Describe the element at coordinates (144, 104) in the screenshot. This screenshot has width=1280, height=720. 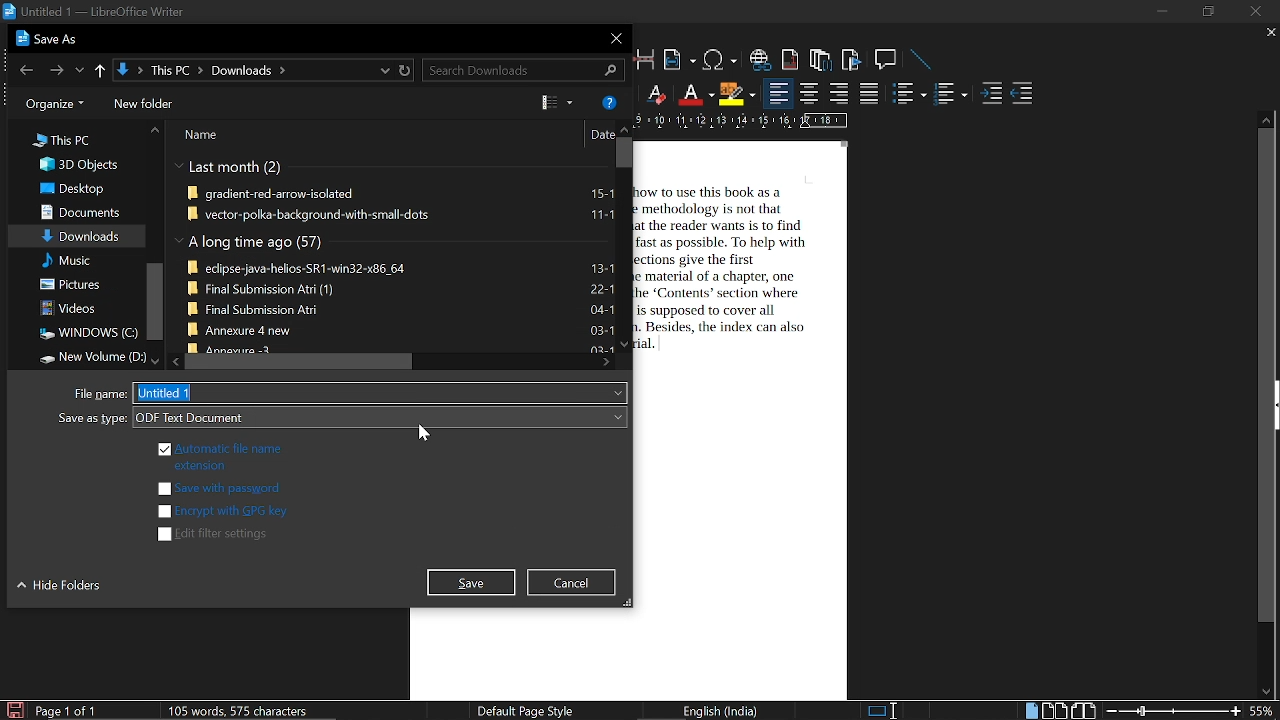
I see `folders` at that location.